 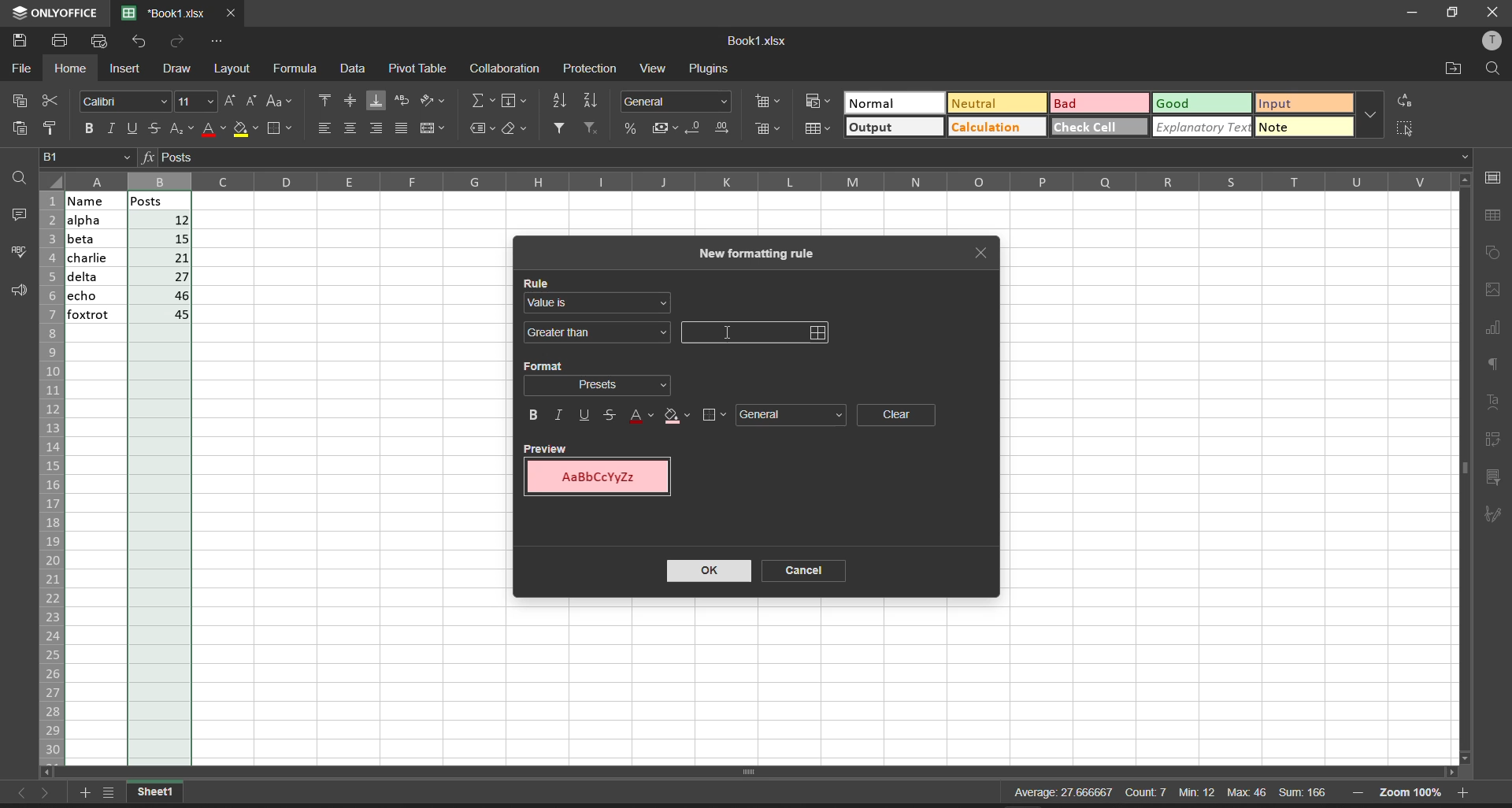 I want to click on summation, so click(x=476, y=101).